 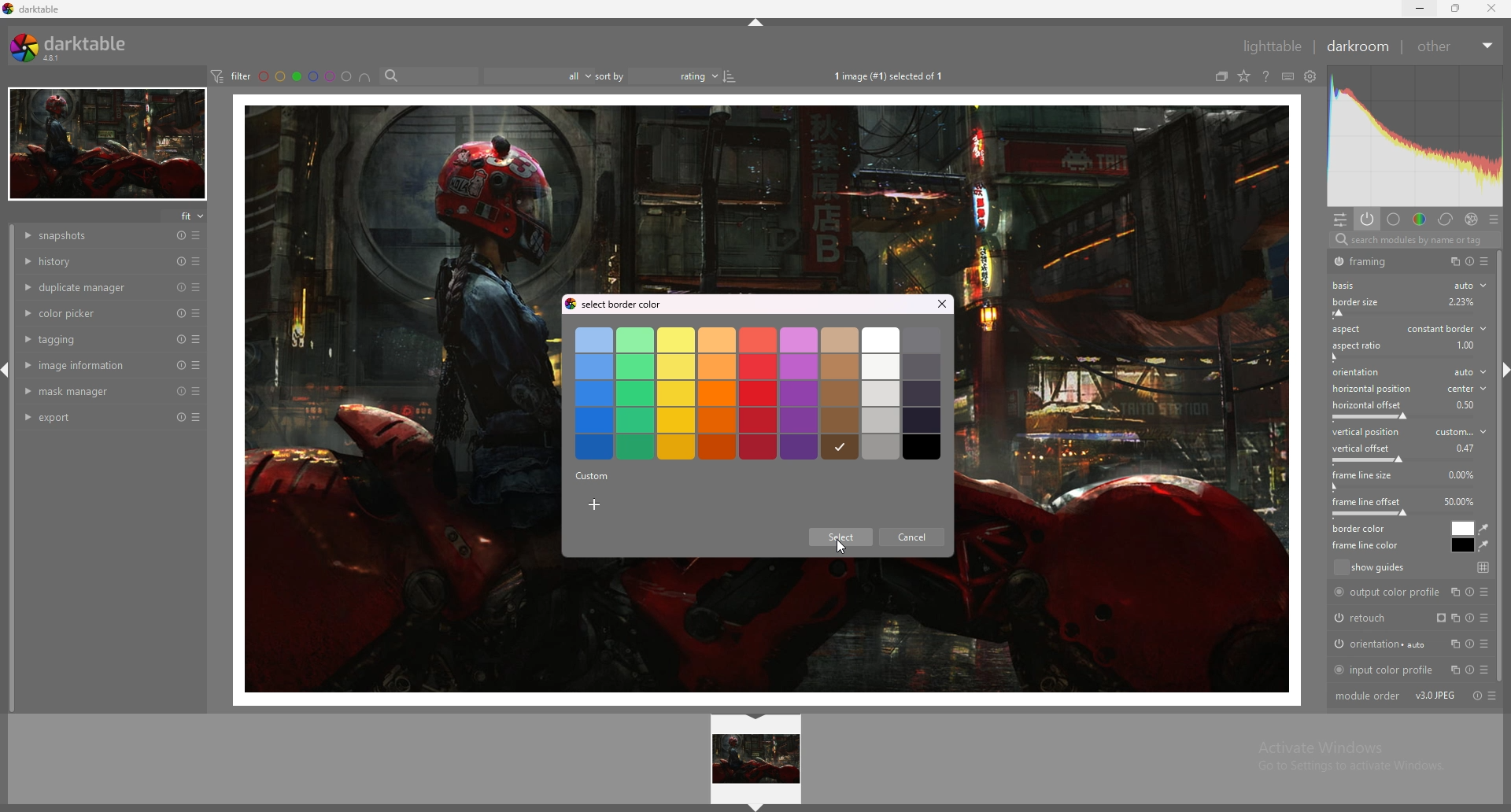 I want to click on reset, so click(x=179, y=418).